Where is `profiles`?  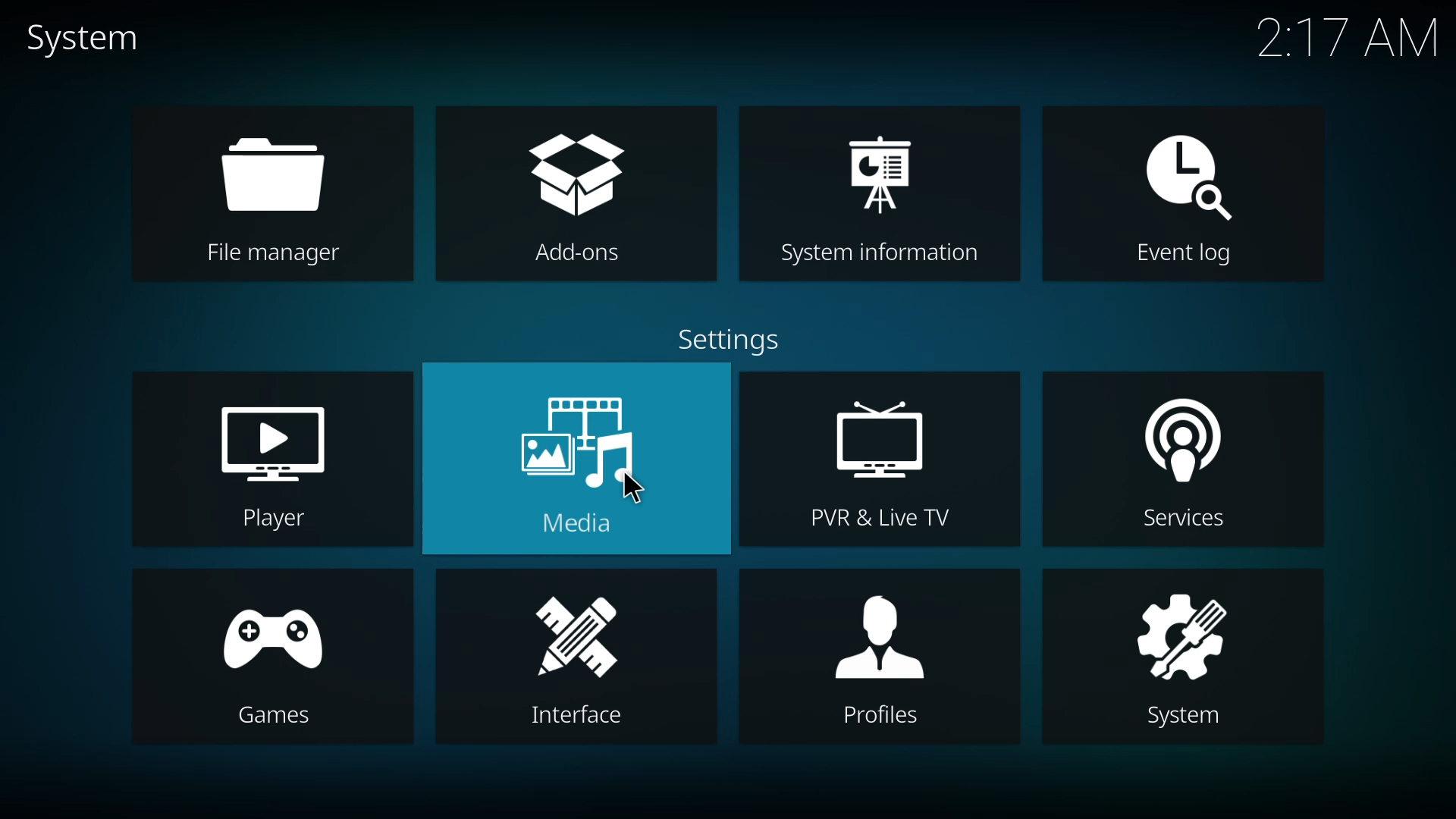
profiles is located at coordinates (871, 659).